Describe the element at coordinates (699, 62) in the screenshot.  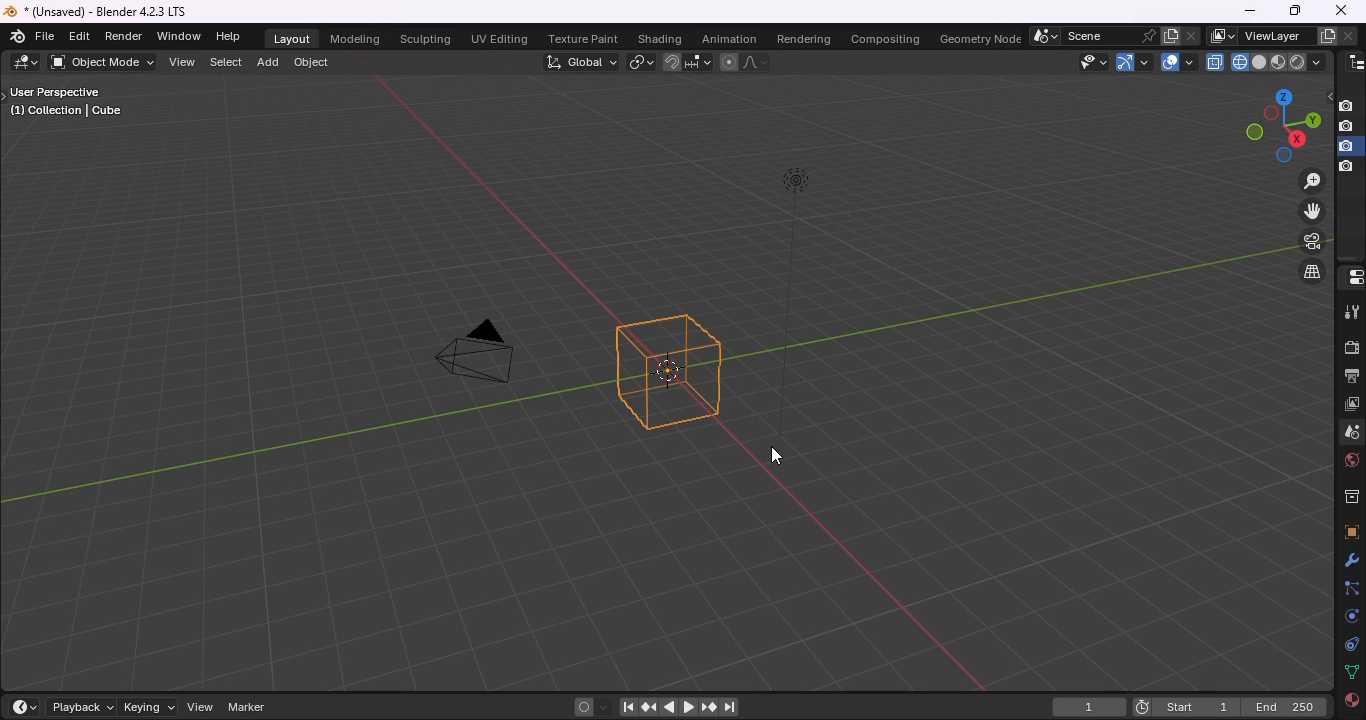
I see `snapping` at that location.